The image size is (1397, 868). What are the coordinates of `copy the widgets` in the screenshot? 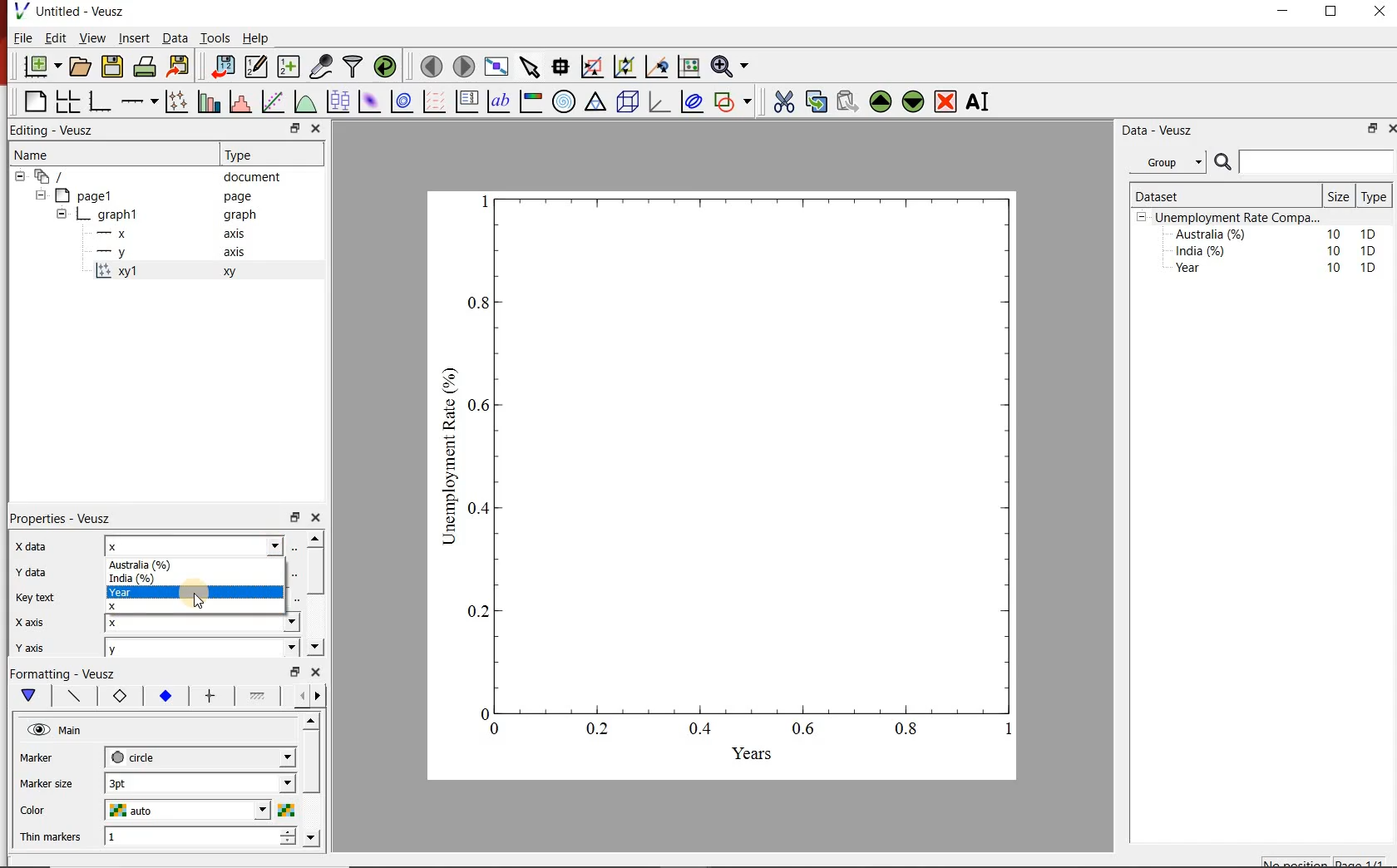 It's located at (815, 101).